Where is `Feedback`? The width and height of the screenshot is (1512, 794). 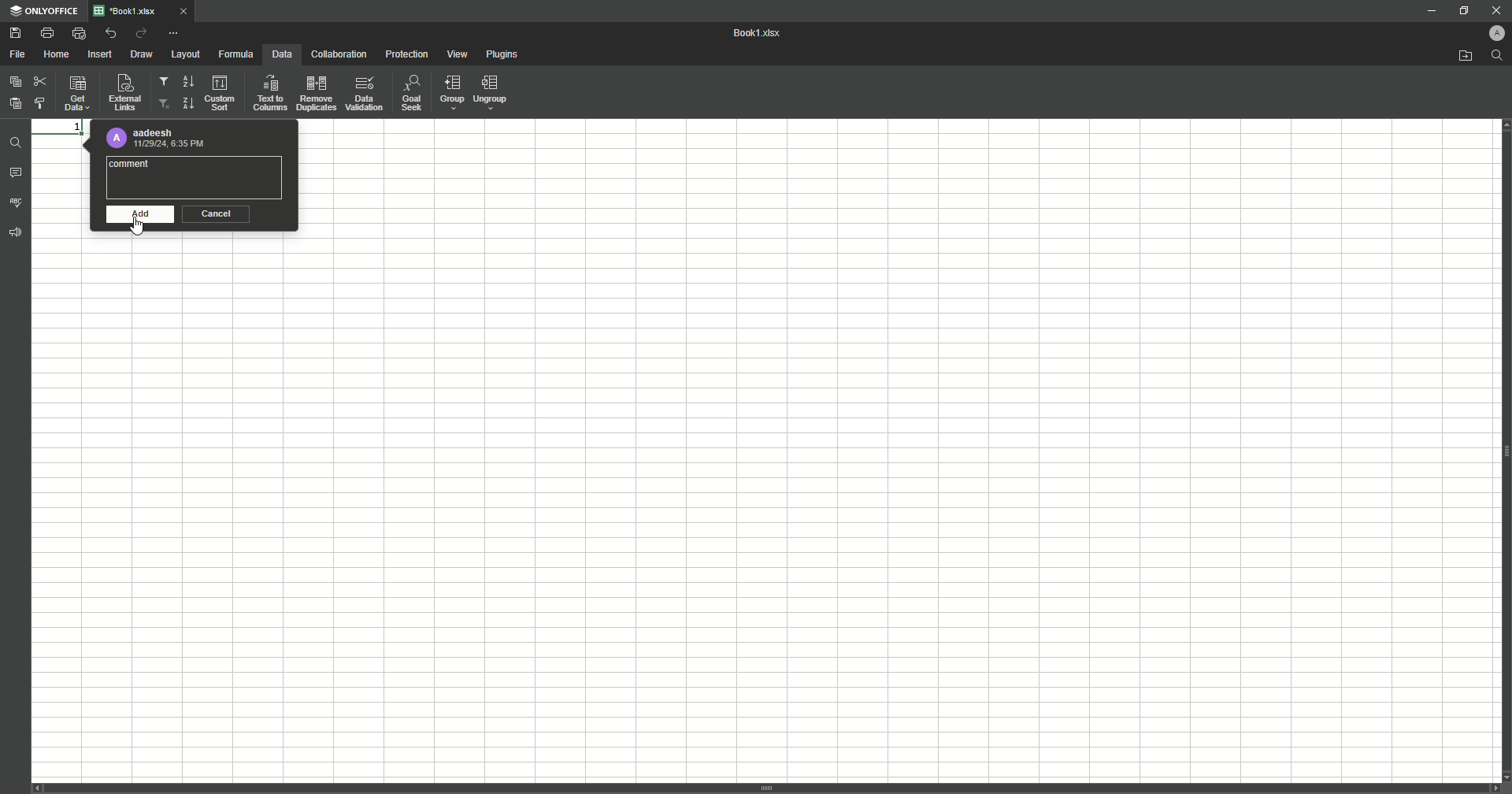
Feedback is located at coordinates (17, 237).